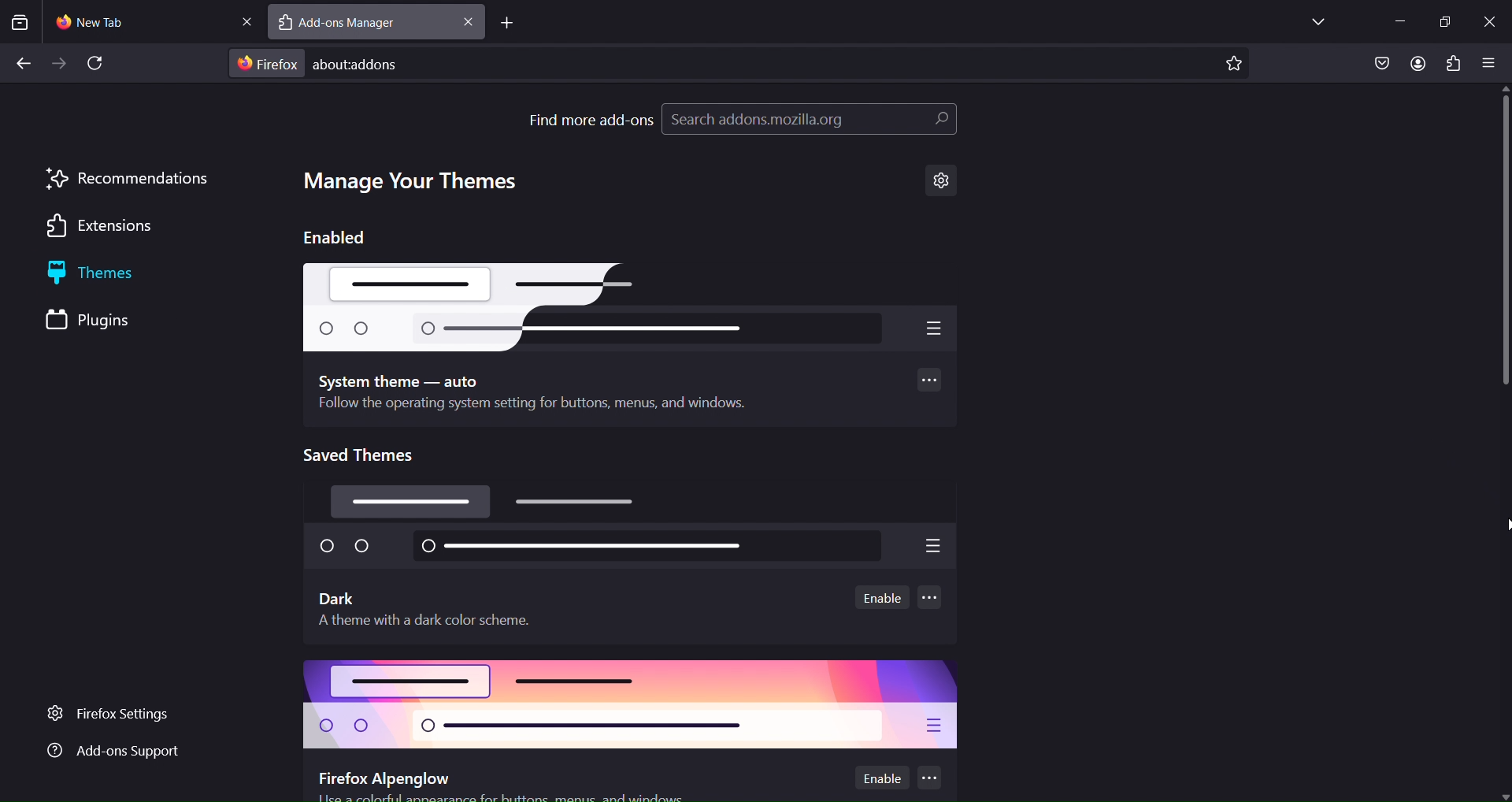 Image resolution: width=1512 pixels, height=802 pixels. I want to click on restore windowss, so click(1444, 20).